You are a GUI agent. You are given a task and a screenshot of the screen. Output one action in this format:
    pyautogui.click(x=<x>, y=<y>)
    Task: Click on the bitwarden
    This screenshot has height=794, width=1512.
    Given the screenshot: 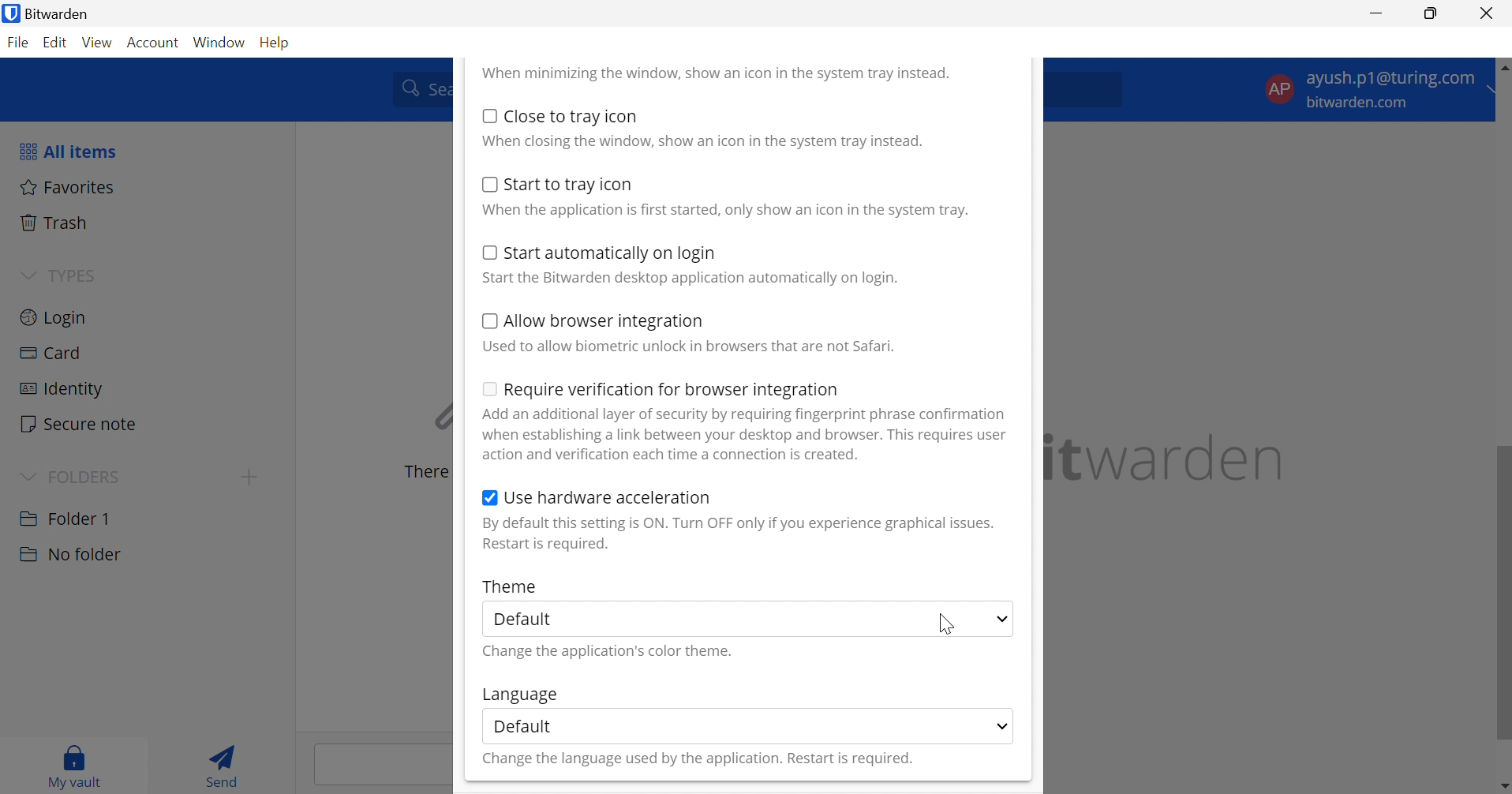 What is the action you would take?
    pyautogui.click(x=1169, y=458)
    